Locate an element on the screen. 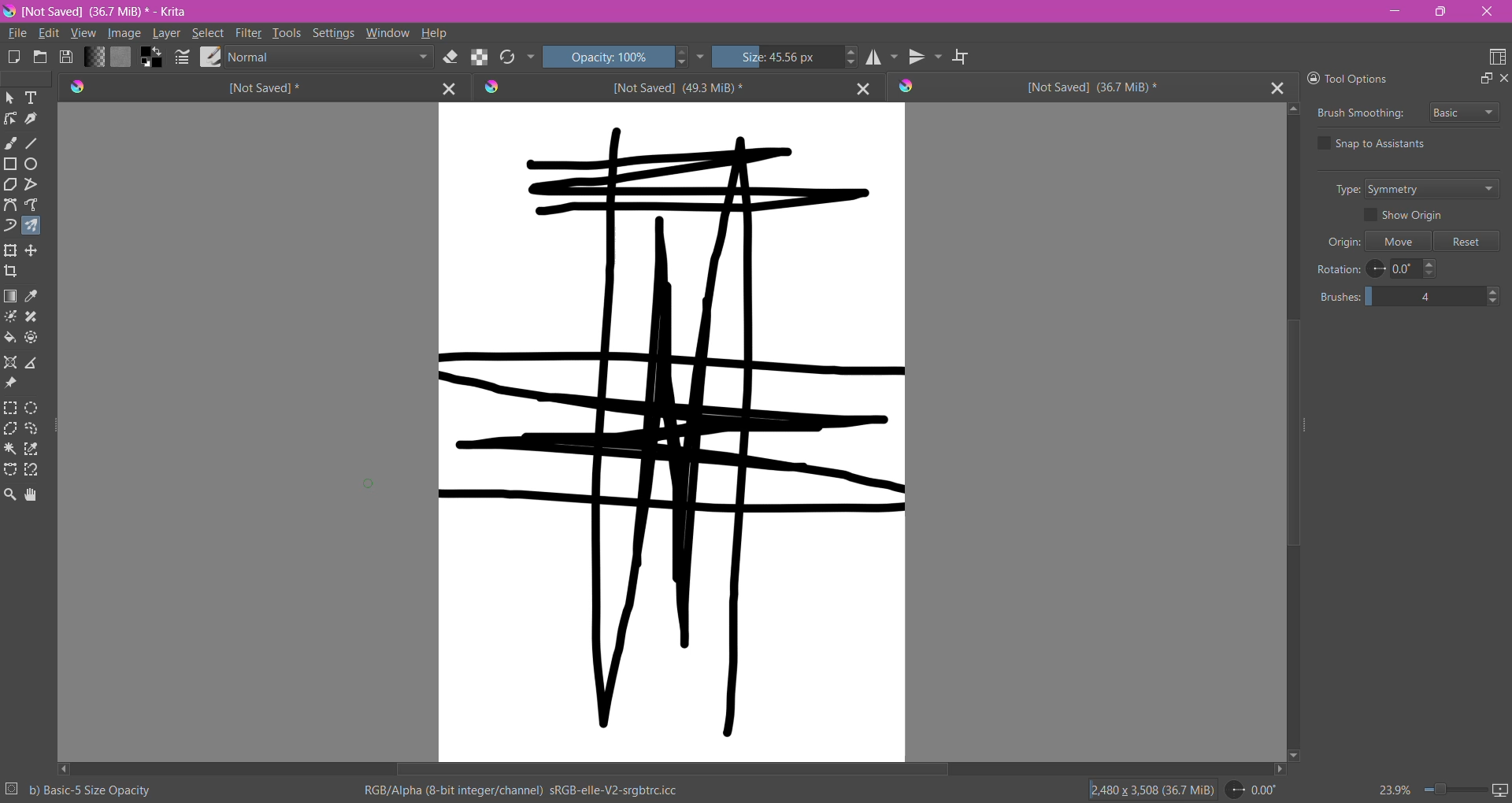 The width and height of the screenshot is (1512, 803). Preserve Alpha is located at coordinates (477, 56).